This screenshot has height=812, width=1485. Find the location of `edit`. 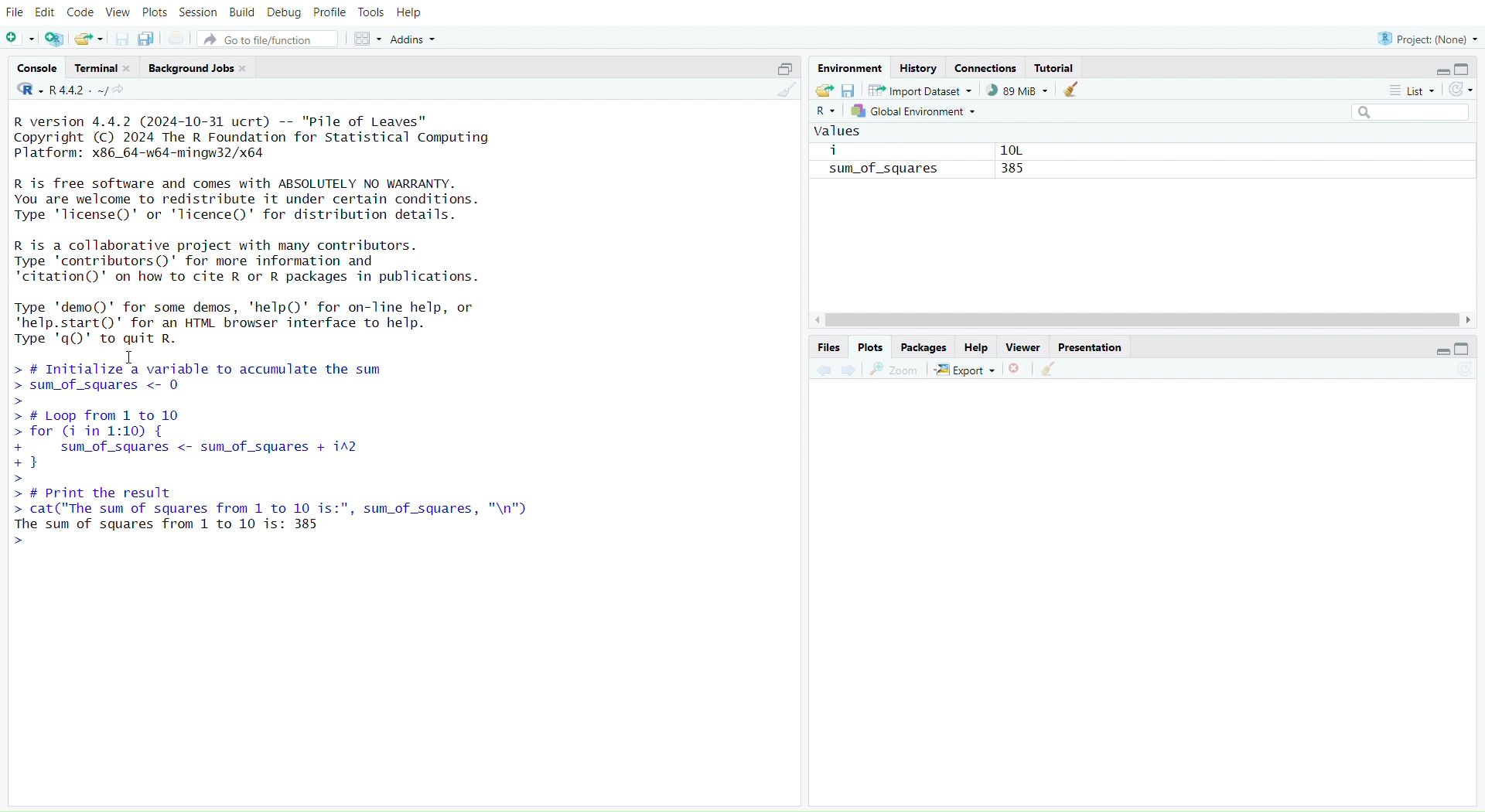

edit is located at coordinates (46, 12).